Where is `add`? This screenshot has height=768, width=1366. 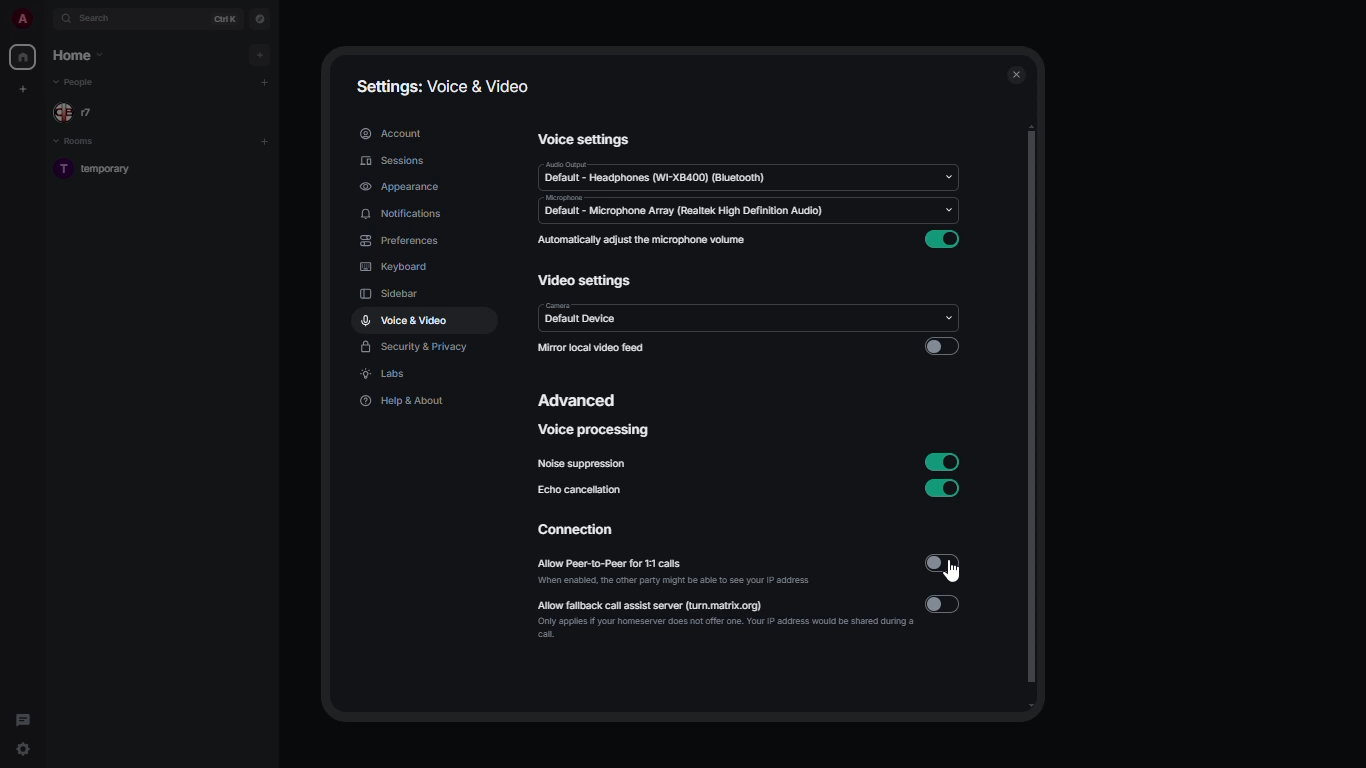
add is located at coordinates (264, 140).